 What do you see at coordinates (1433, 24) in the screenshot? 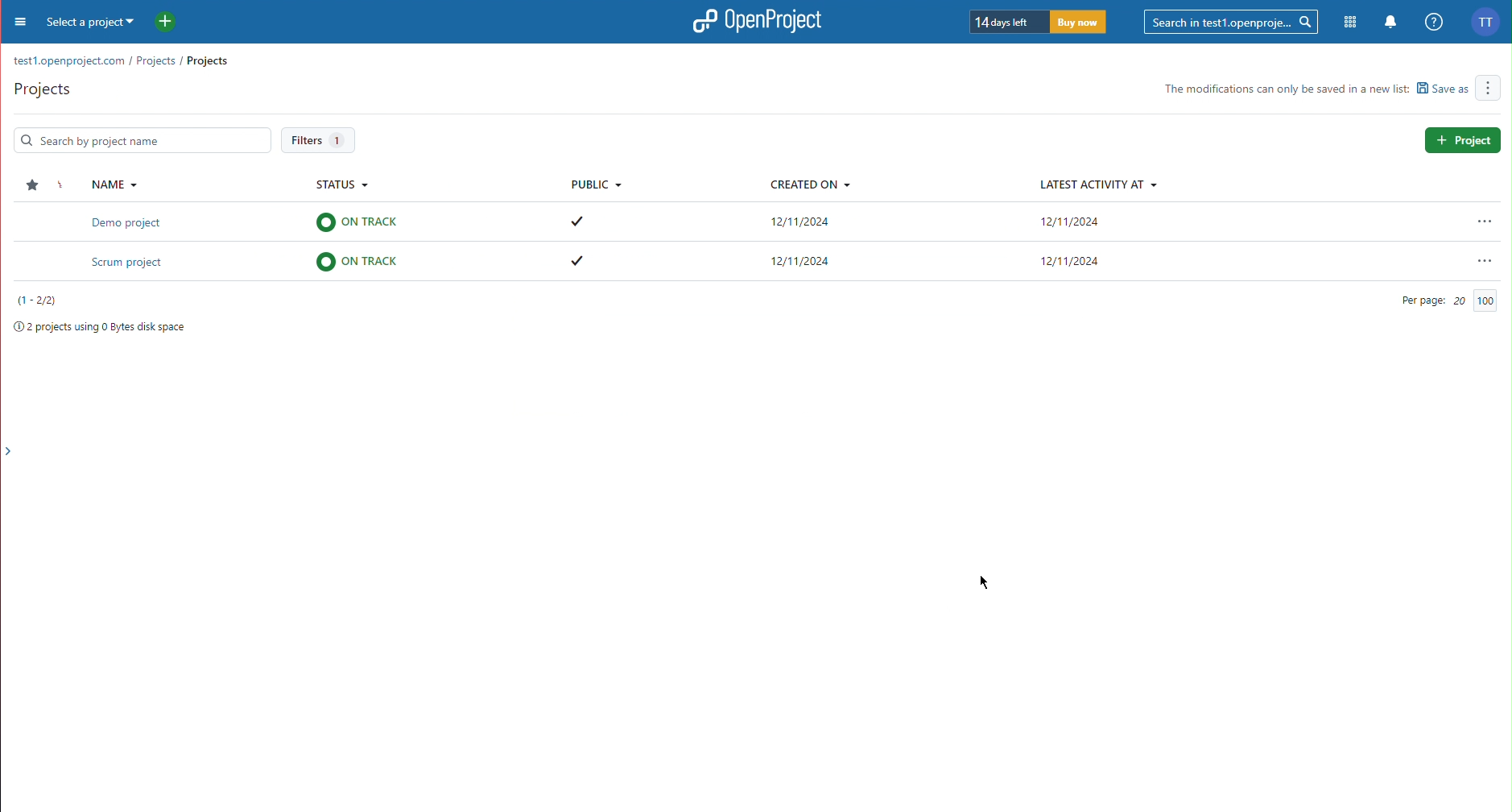
I see `Help` at bounding box center [1433, 24].